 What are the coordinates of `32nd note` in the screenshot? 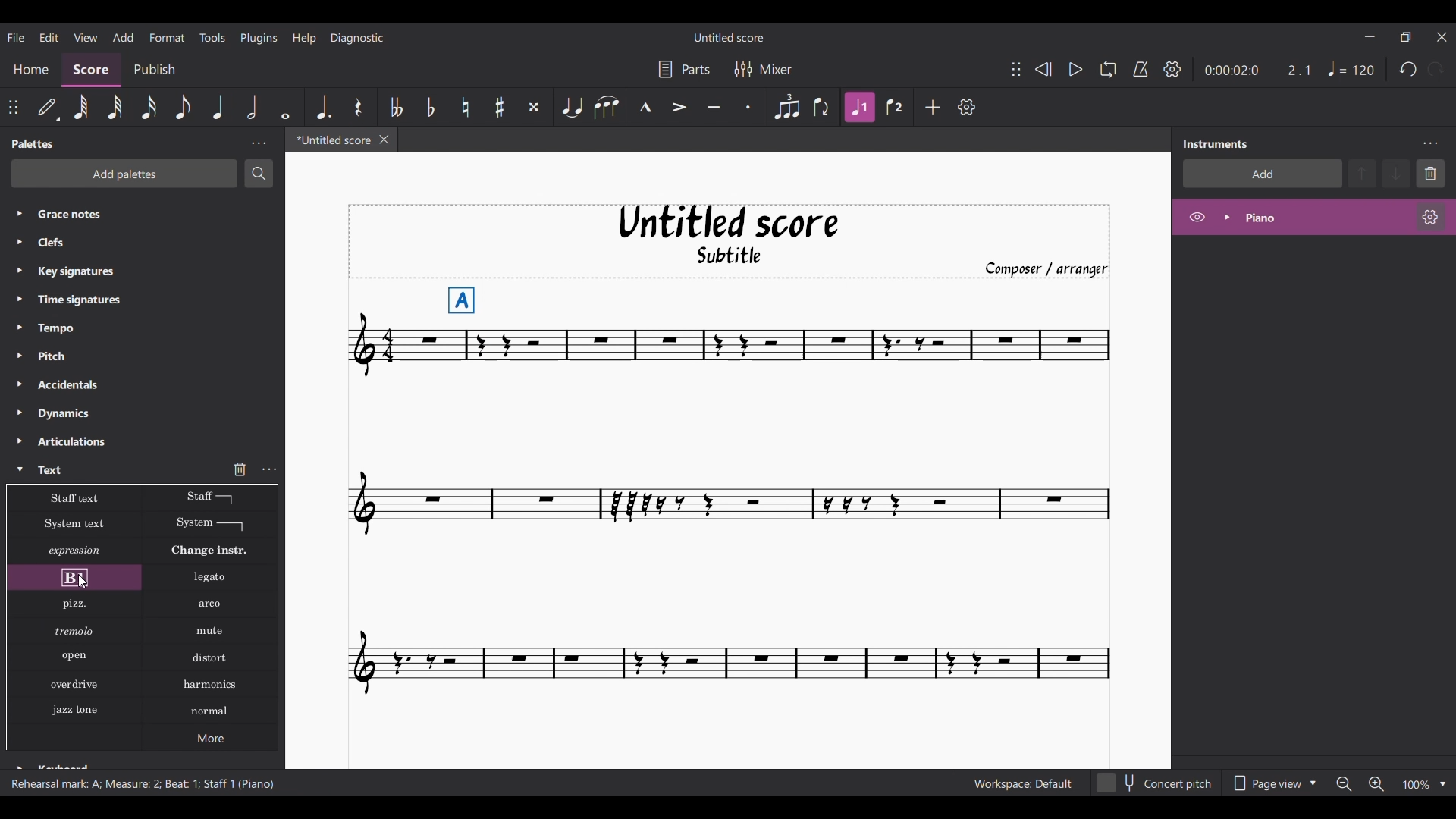 It's located at (115, 106).